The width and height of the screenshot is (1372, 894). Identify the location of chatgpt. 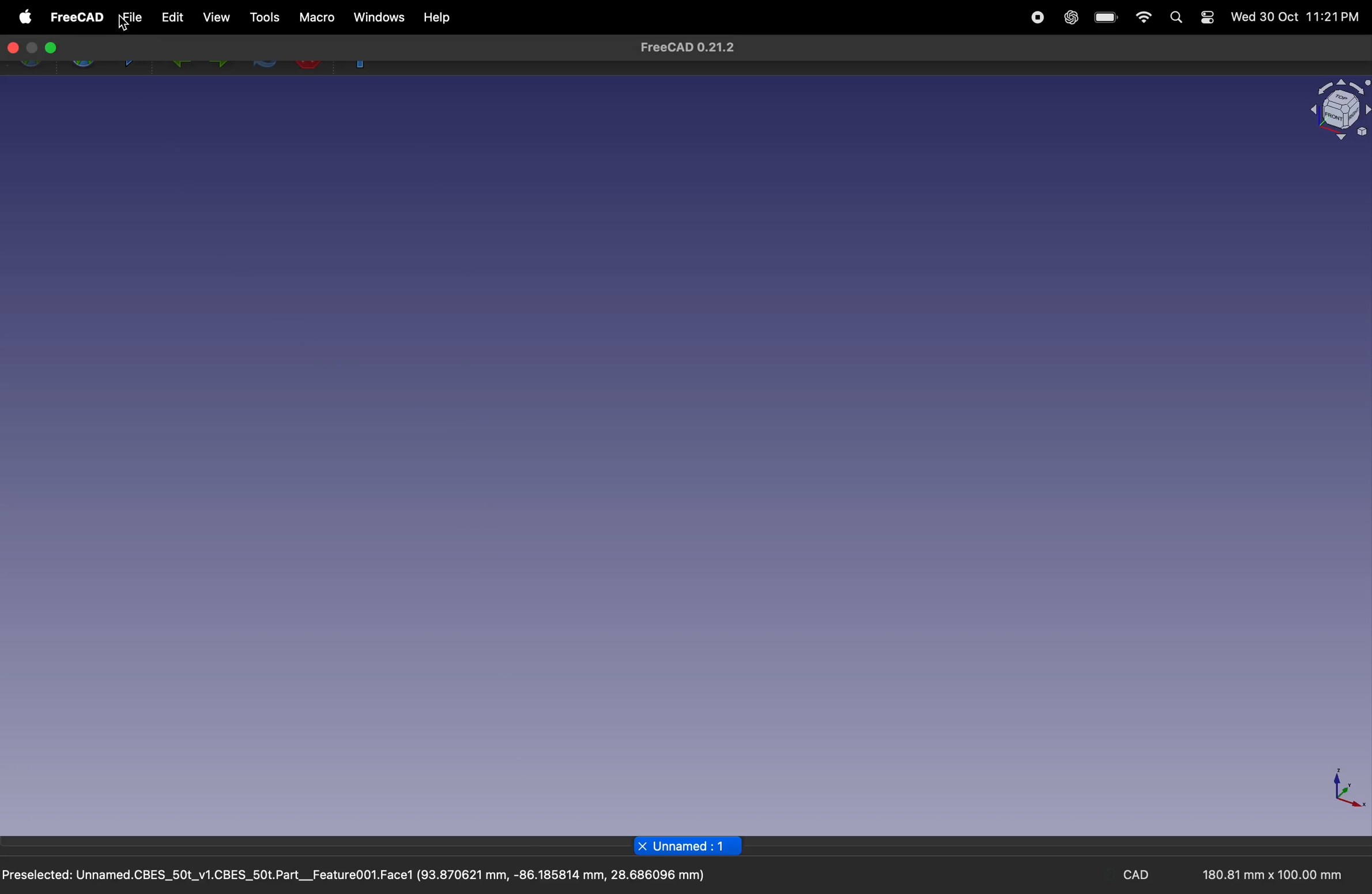
(1068, 18).